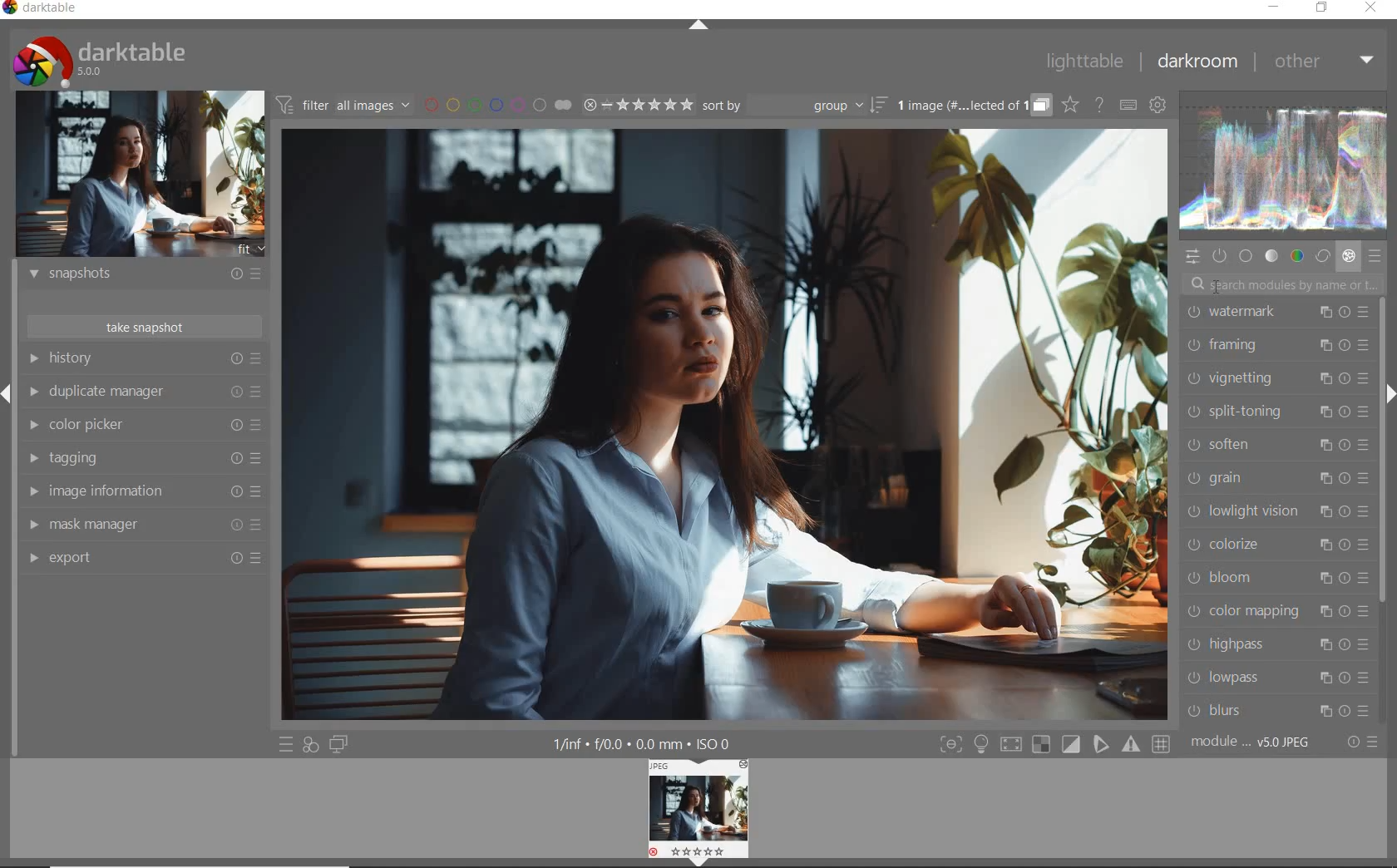 Image resolution: width=1397 pixels, height=868 pixels. I want to click on base, so click(1246, 256).